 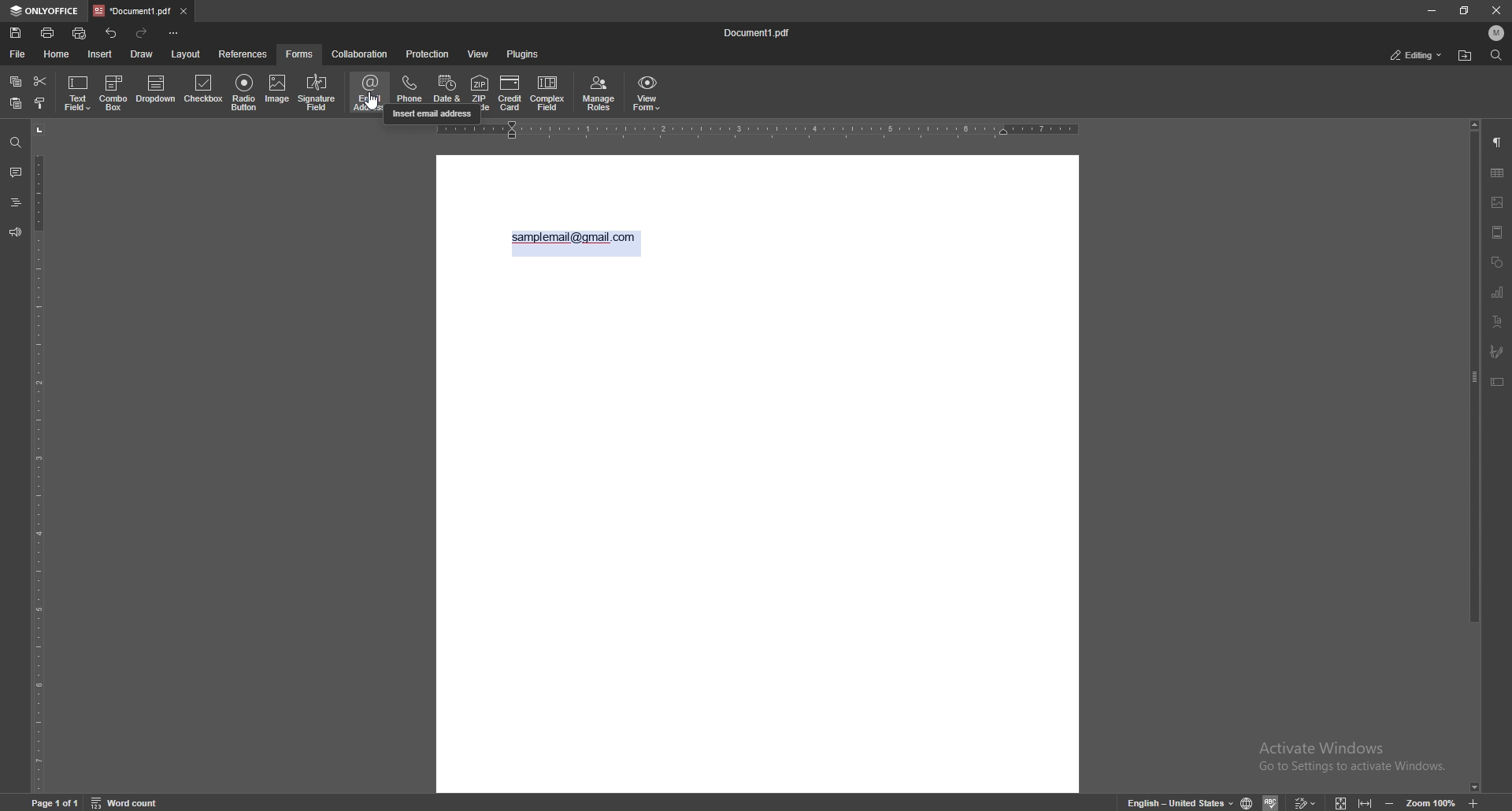 I want to click on onlyoffice, so click(x=45, y=11).